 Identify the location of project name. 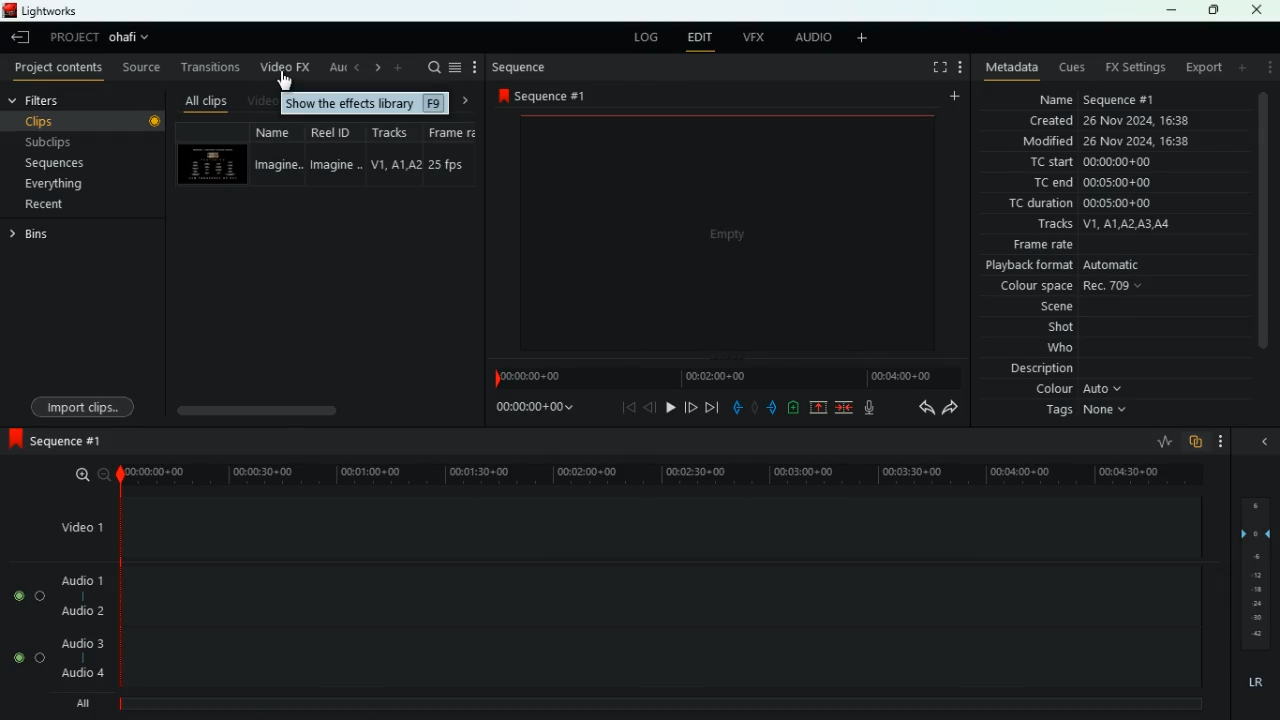
(132, 37).